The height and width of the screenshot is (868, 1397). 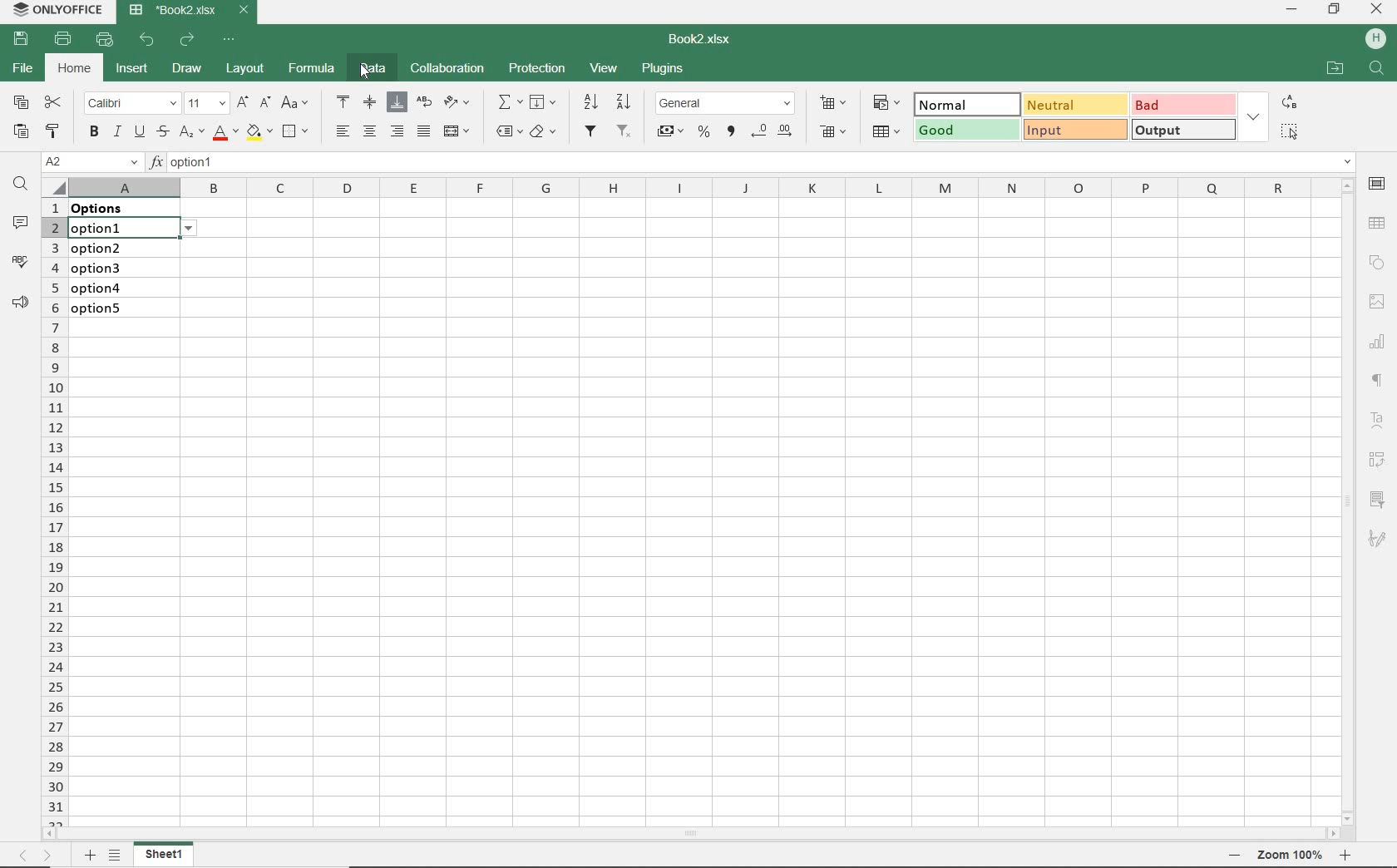 What do you see at coordinates (1377, 538) in the screenshot?
I see `SIGNATURE` at bounding box center [1377, 538].